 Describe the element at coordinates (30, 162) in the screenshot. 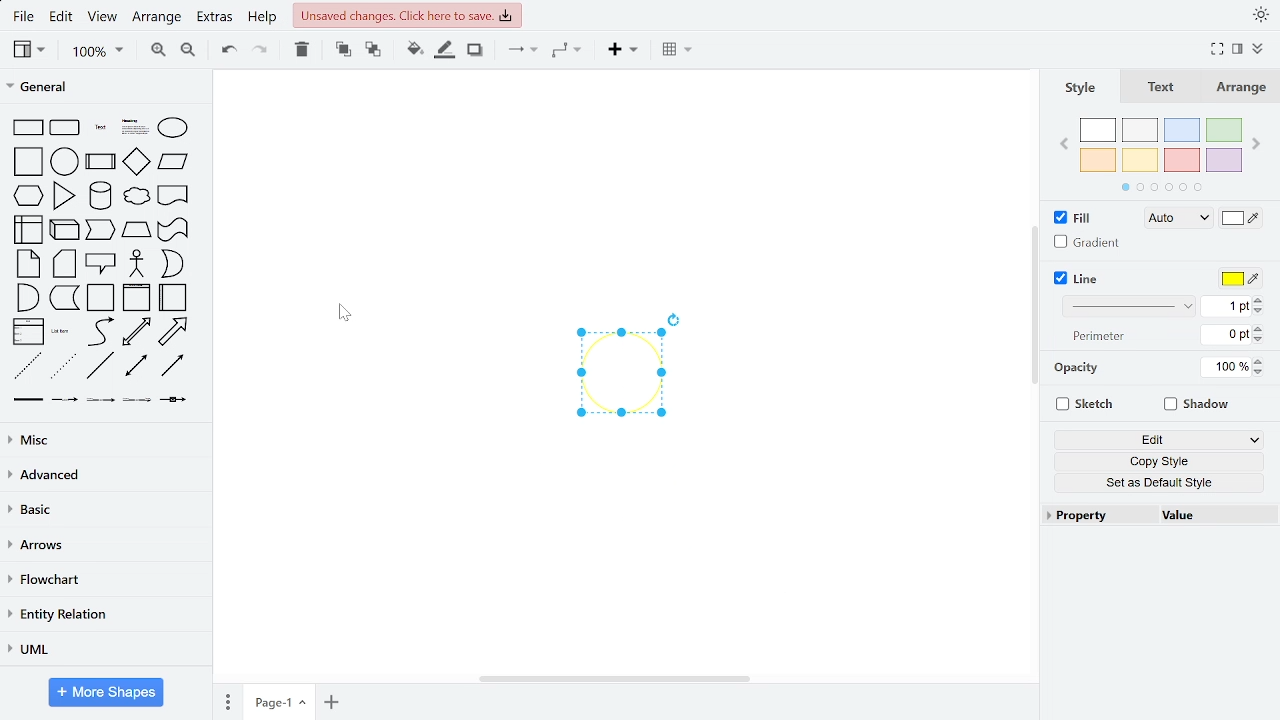

I see `square` at that location.